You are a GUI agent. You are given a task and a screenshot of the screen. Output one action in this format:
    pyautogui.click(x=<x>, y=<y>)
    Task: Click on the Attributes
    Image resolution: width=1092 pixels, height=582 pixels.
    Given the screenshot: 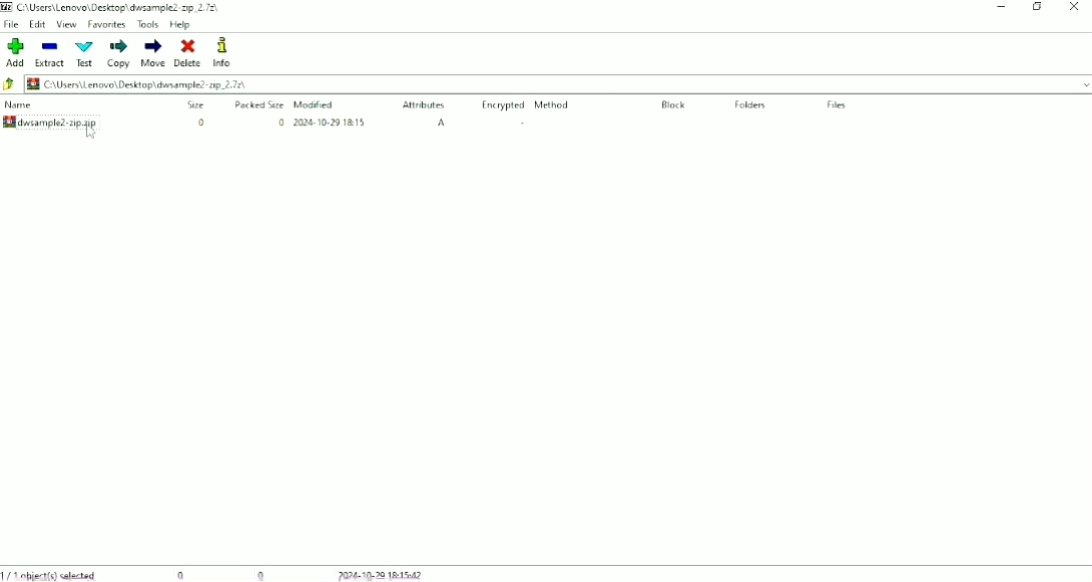 What is the action you would take?
    pyautogui.click(x=425, y=106)
    